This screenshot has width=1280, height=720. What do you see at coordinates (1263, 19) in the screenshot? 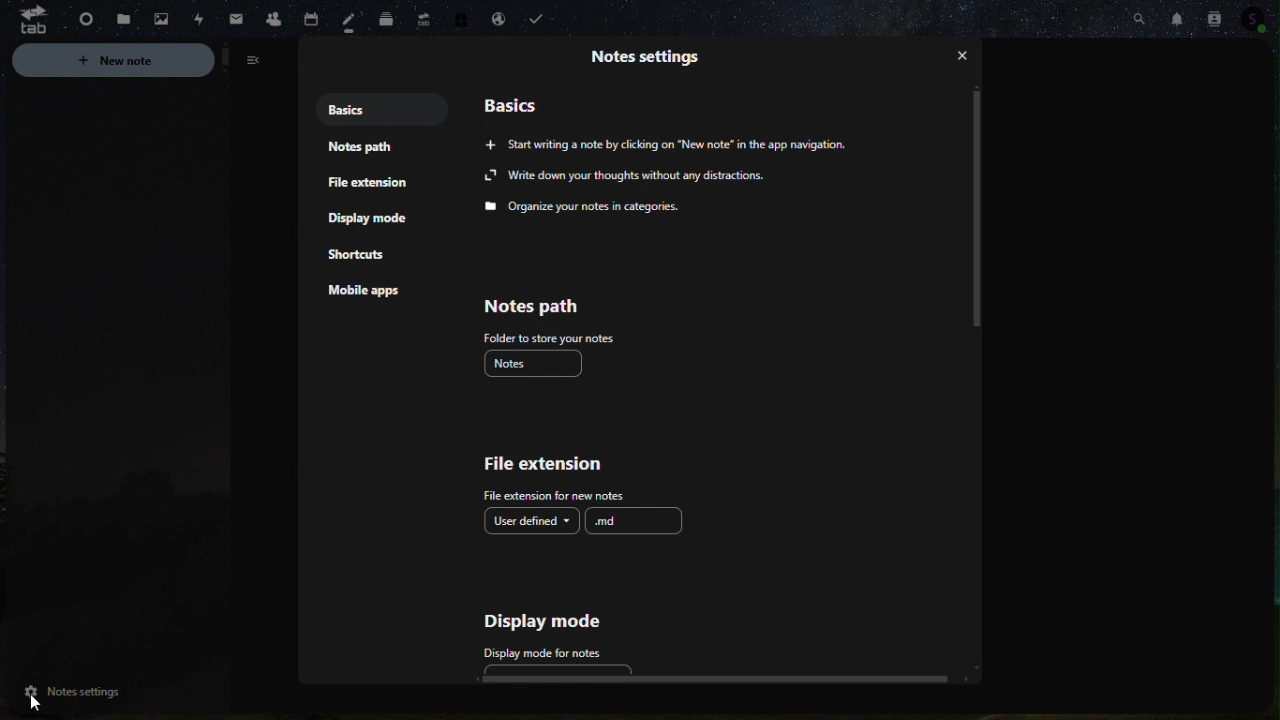
I see `Profile` at bounding box center [1263, 19].